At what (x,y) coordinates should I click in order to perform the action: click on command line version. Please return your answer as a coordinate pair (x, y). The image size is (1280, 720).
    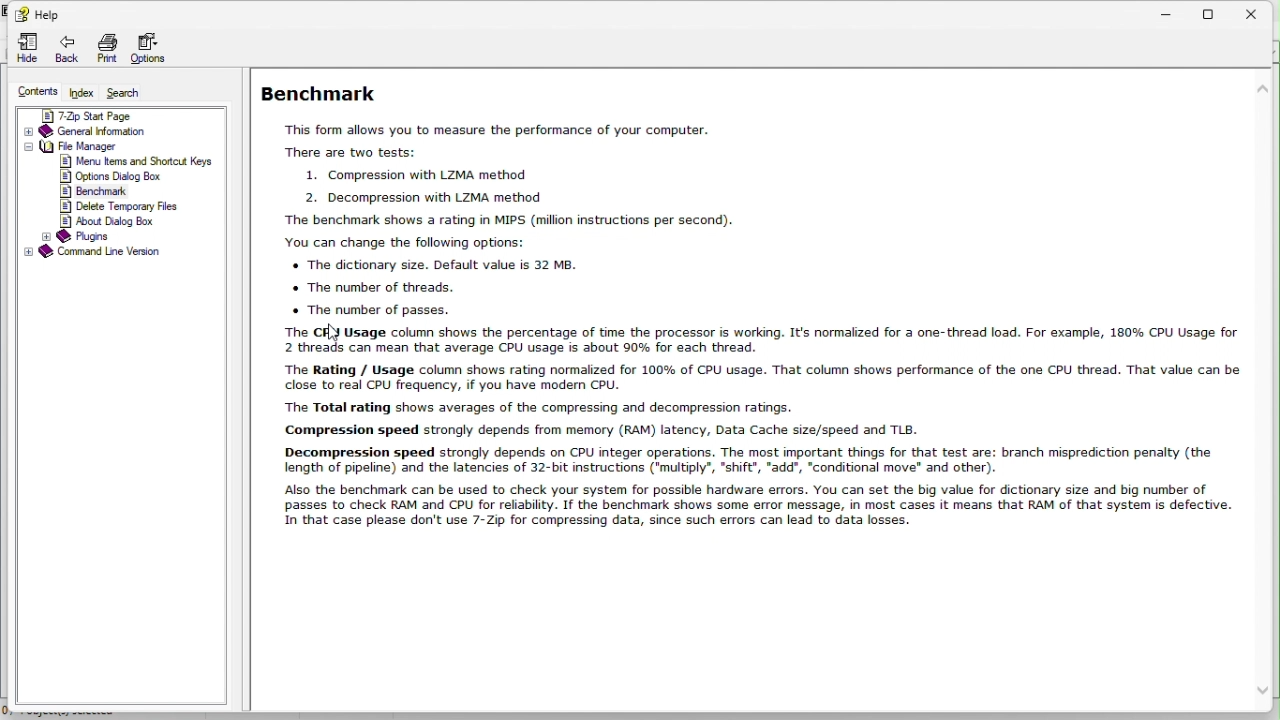
    Looking at the image, I should click on (121, 253).